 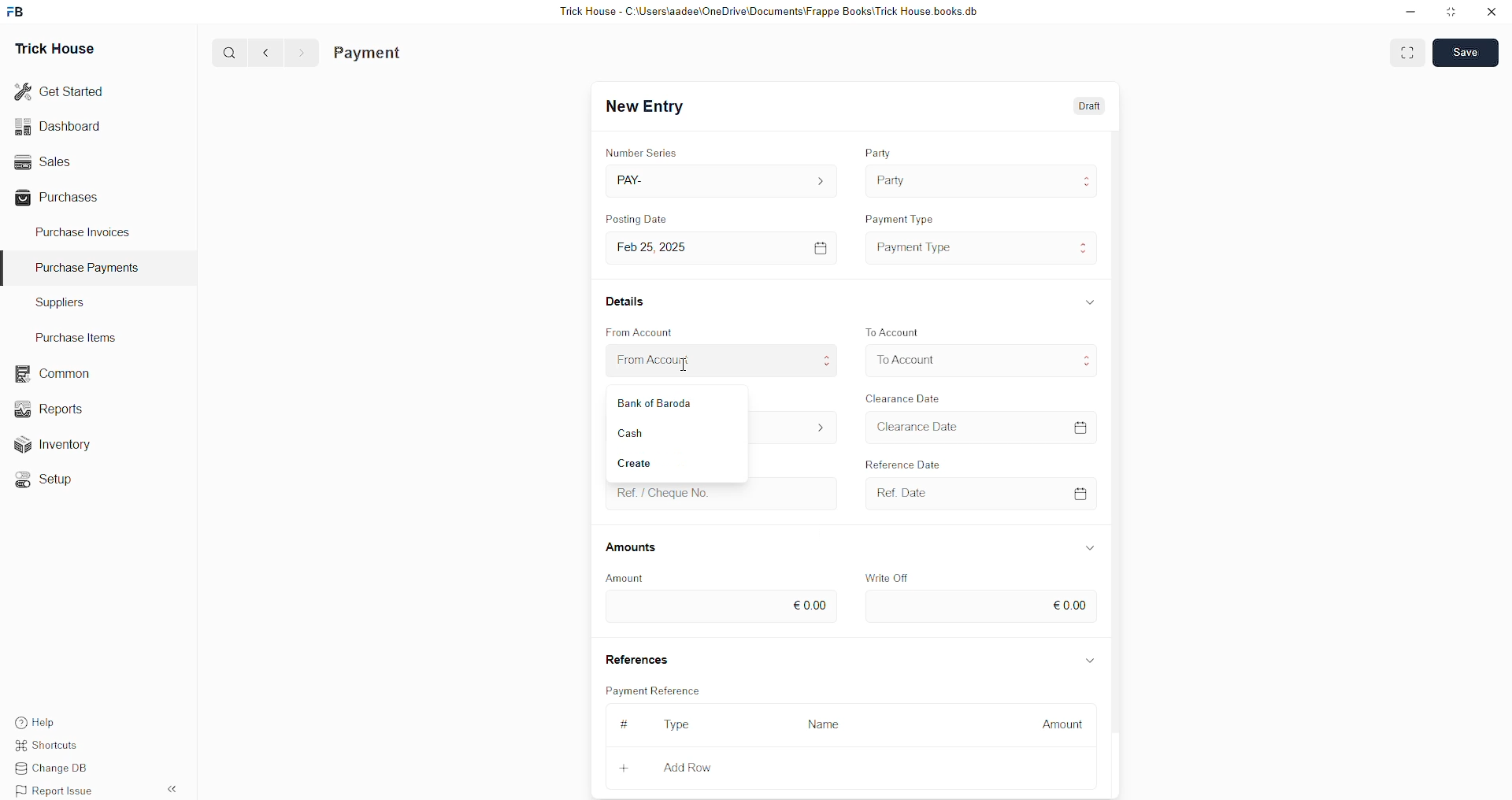 I want to click on Payment Type, so click(x=919, y=246).